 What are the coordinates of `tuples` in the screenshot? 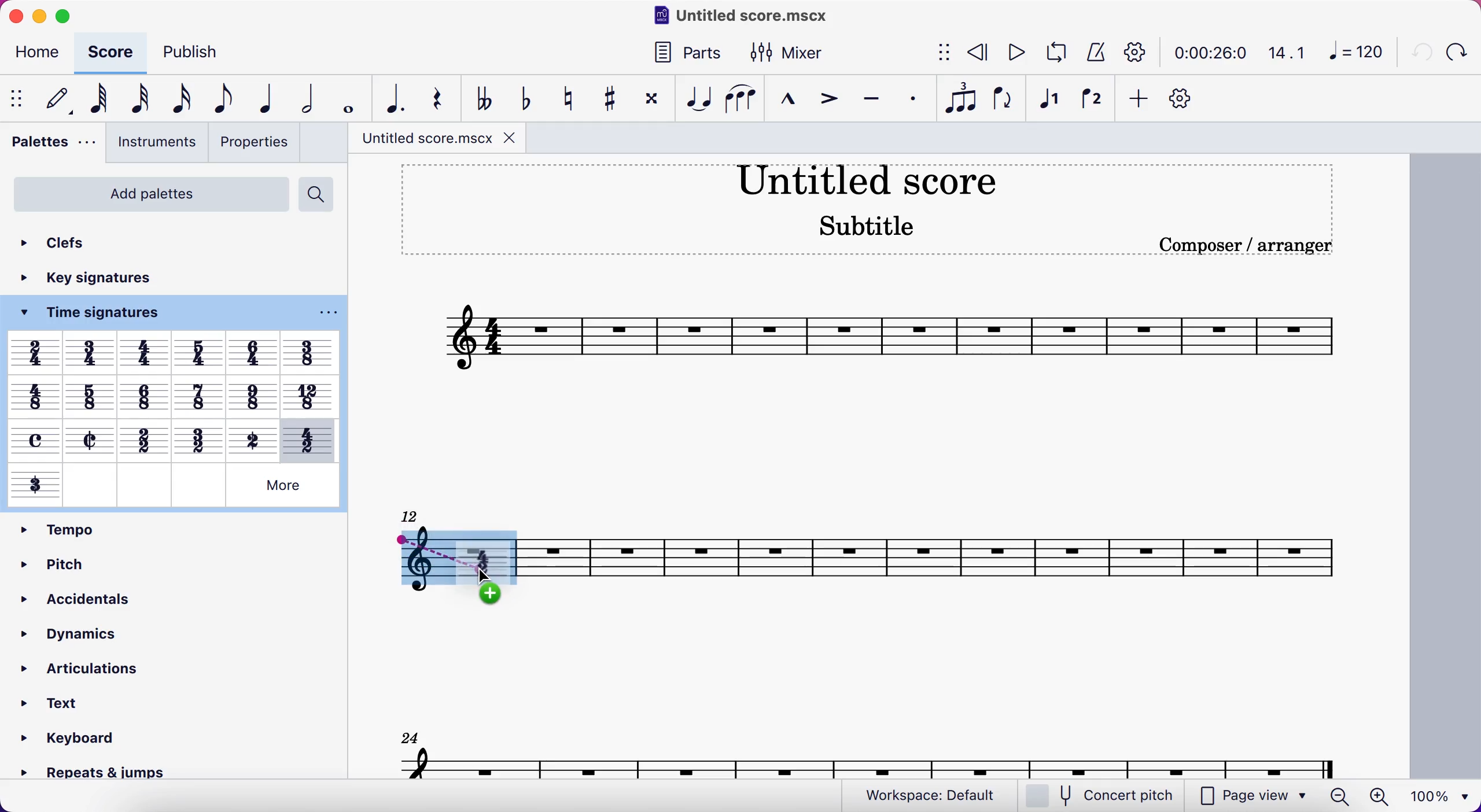 It's located at (957, 99).